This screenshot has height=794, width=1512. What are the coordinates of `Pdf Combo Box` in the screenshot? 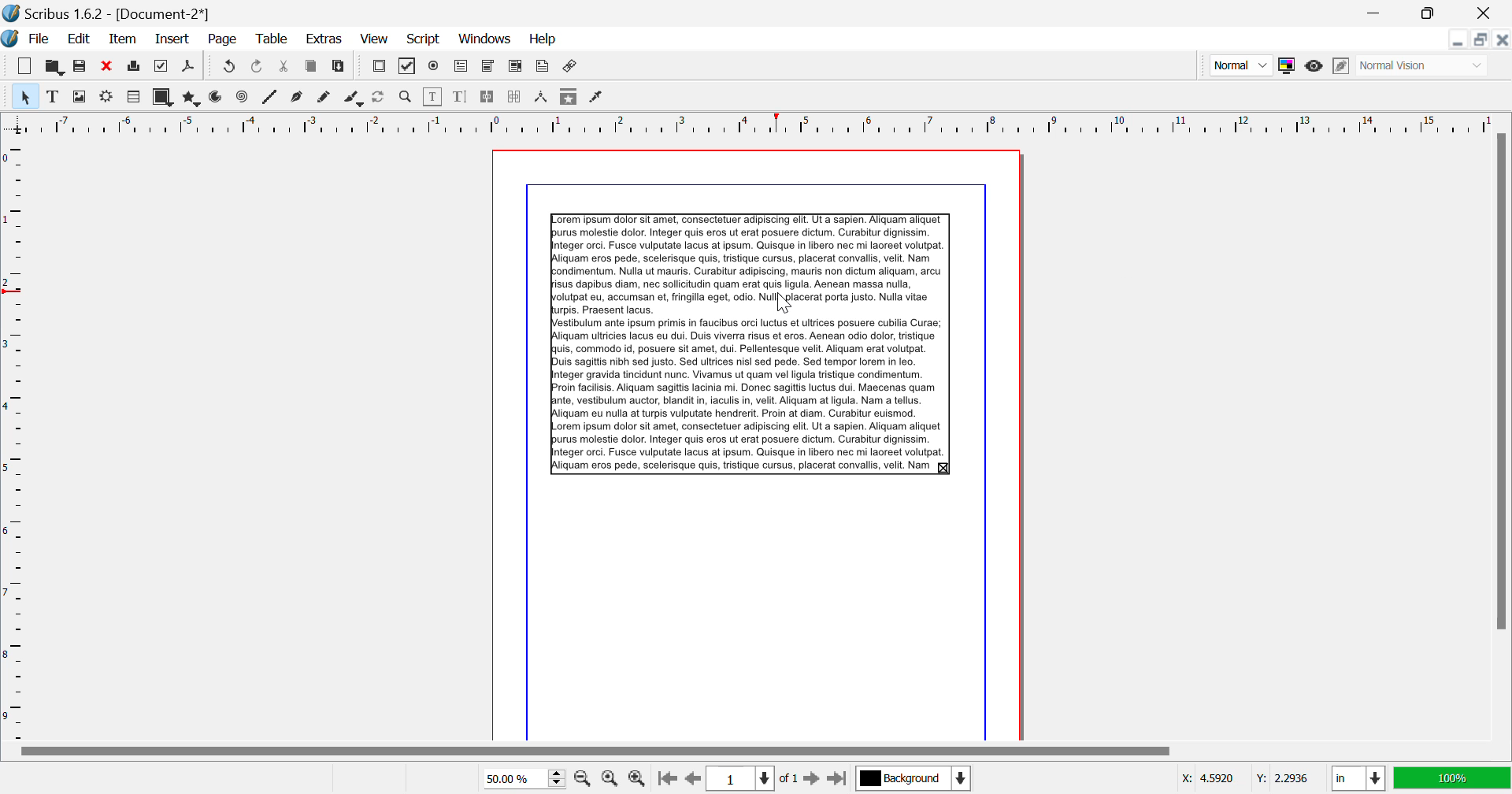 It's located at (487, 67).